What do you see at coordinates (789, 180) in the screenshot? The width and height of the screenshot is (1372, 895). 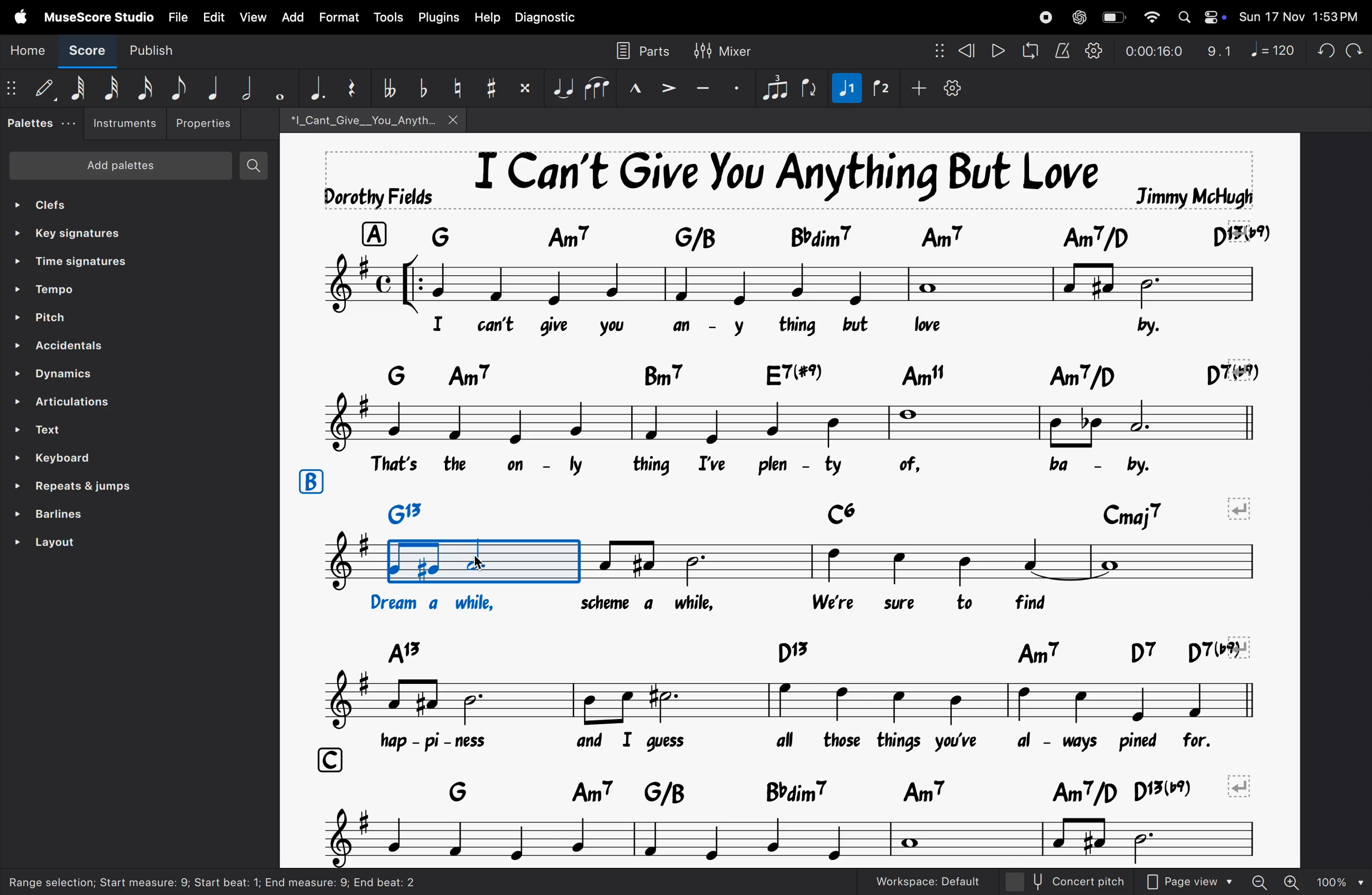 I see `song title` at bounding box center [789, 180].